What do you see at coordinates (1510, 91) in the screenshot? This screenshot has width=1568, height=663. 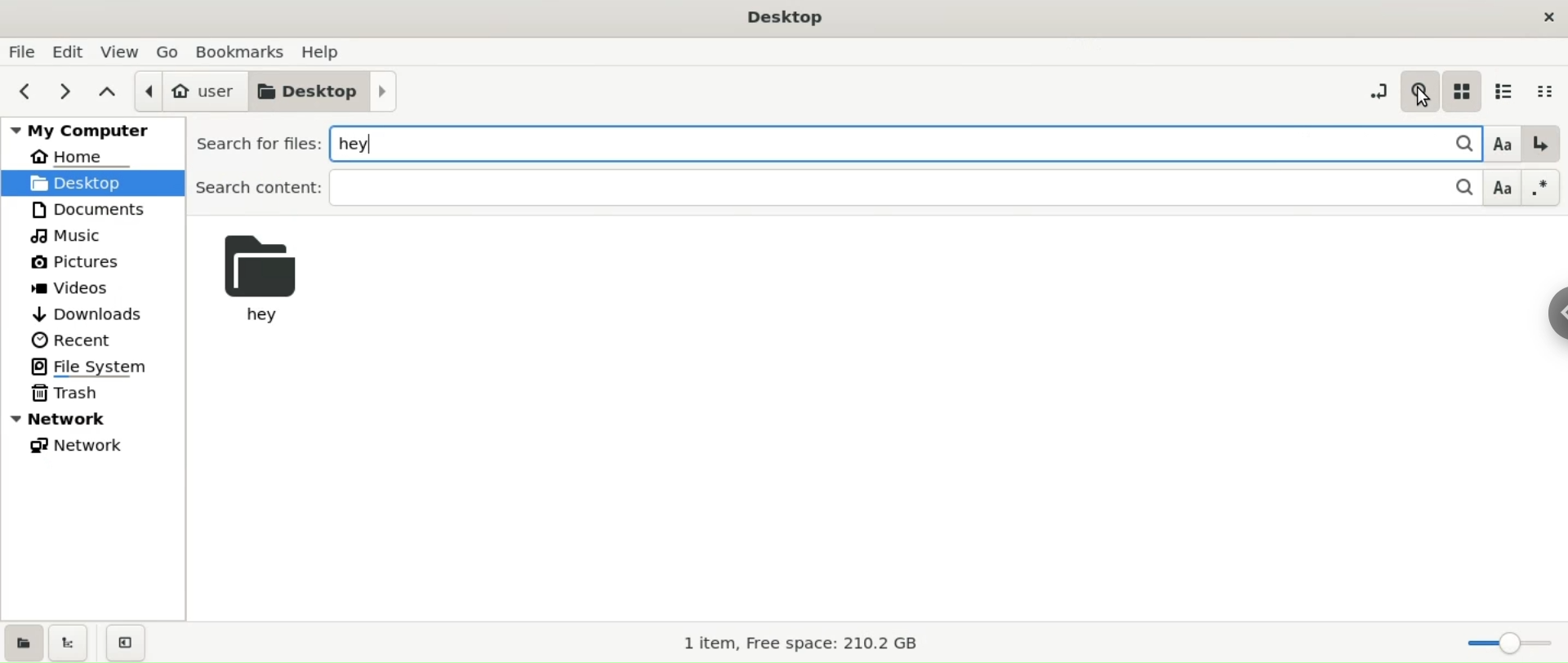 I see `list view` at bounding box center [1510, 91].